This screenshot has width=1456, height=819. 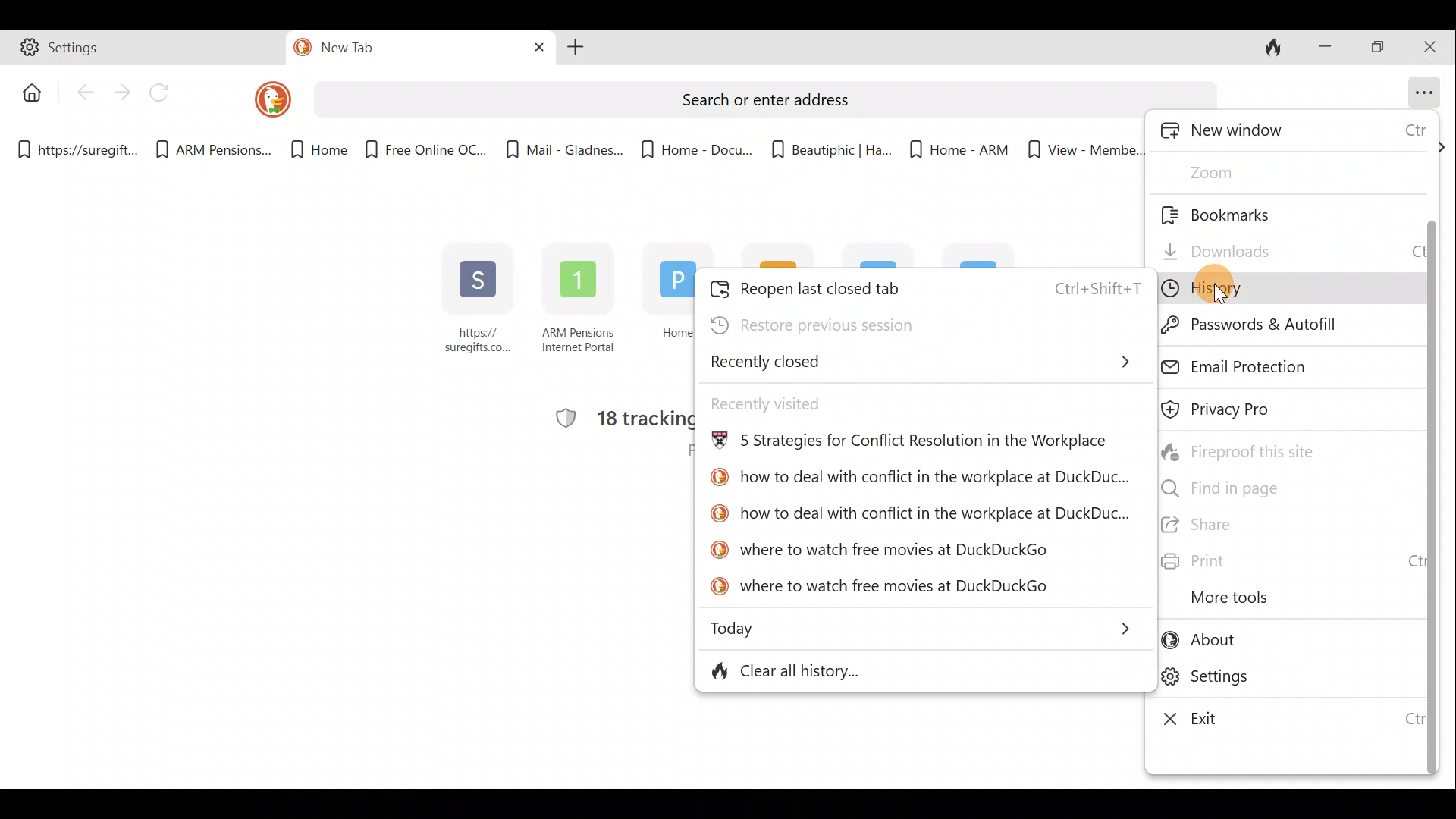 I want to click on More tools, so click(x=1269, y=598).